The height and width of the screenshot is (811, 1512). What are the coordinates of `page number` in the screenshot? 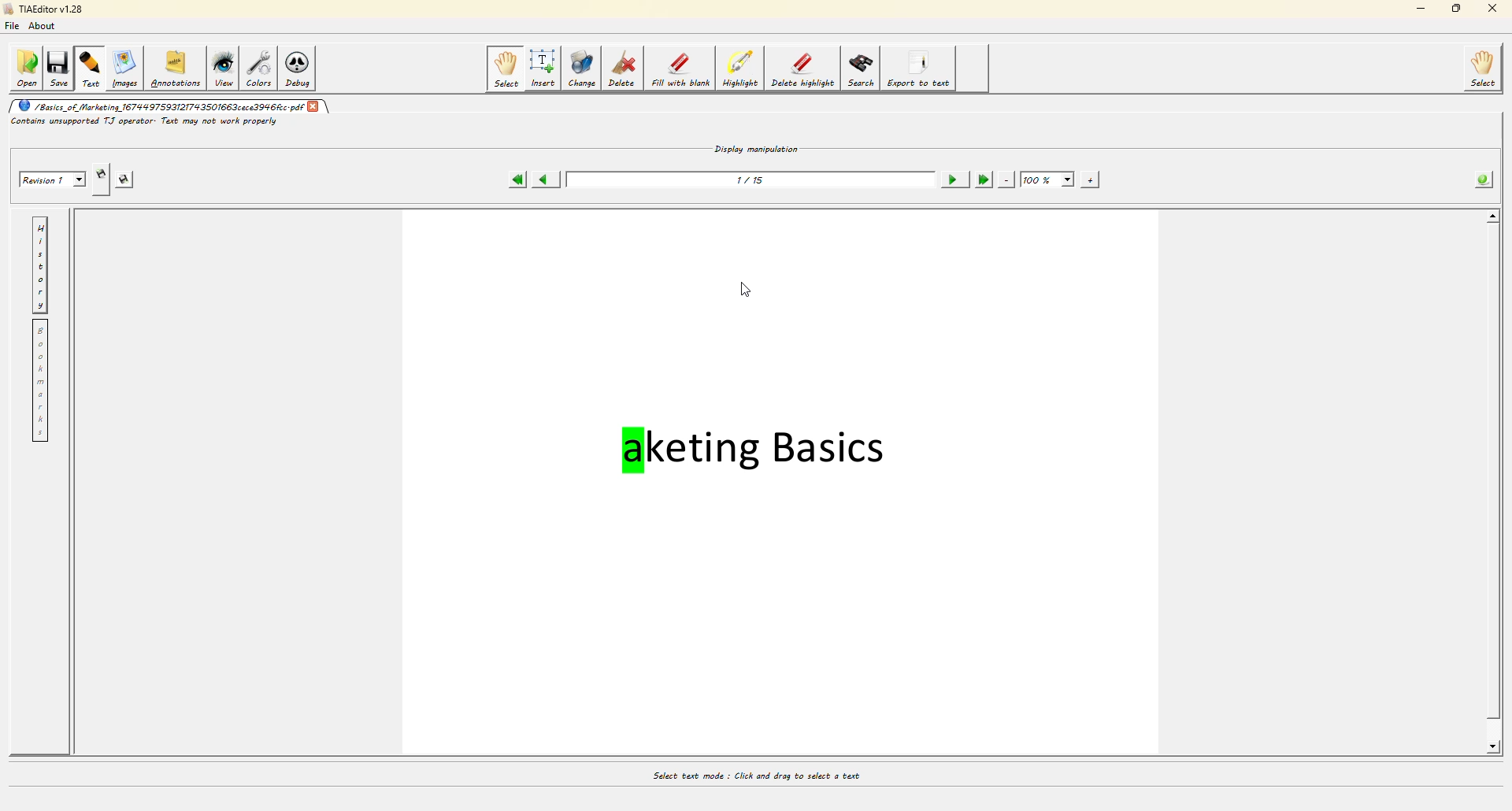 It's located at (748, 183).